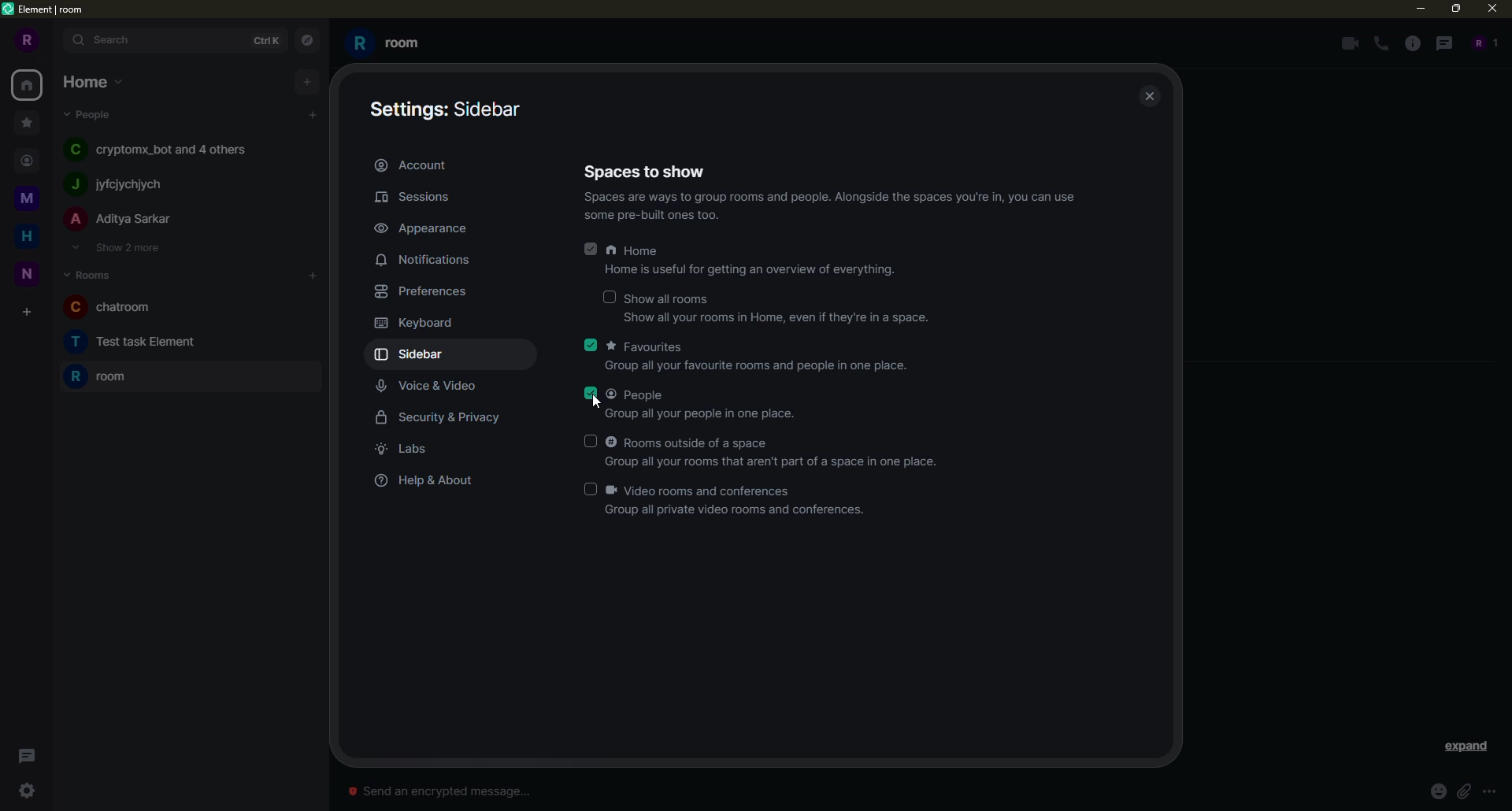 The width and height of the screenshot is (1512, 811). Describe the element at coordinates (684, 416) in the screenshot. I see `Group all your people in one place.` at that location.